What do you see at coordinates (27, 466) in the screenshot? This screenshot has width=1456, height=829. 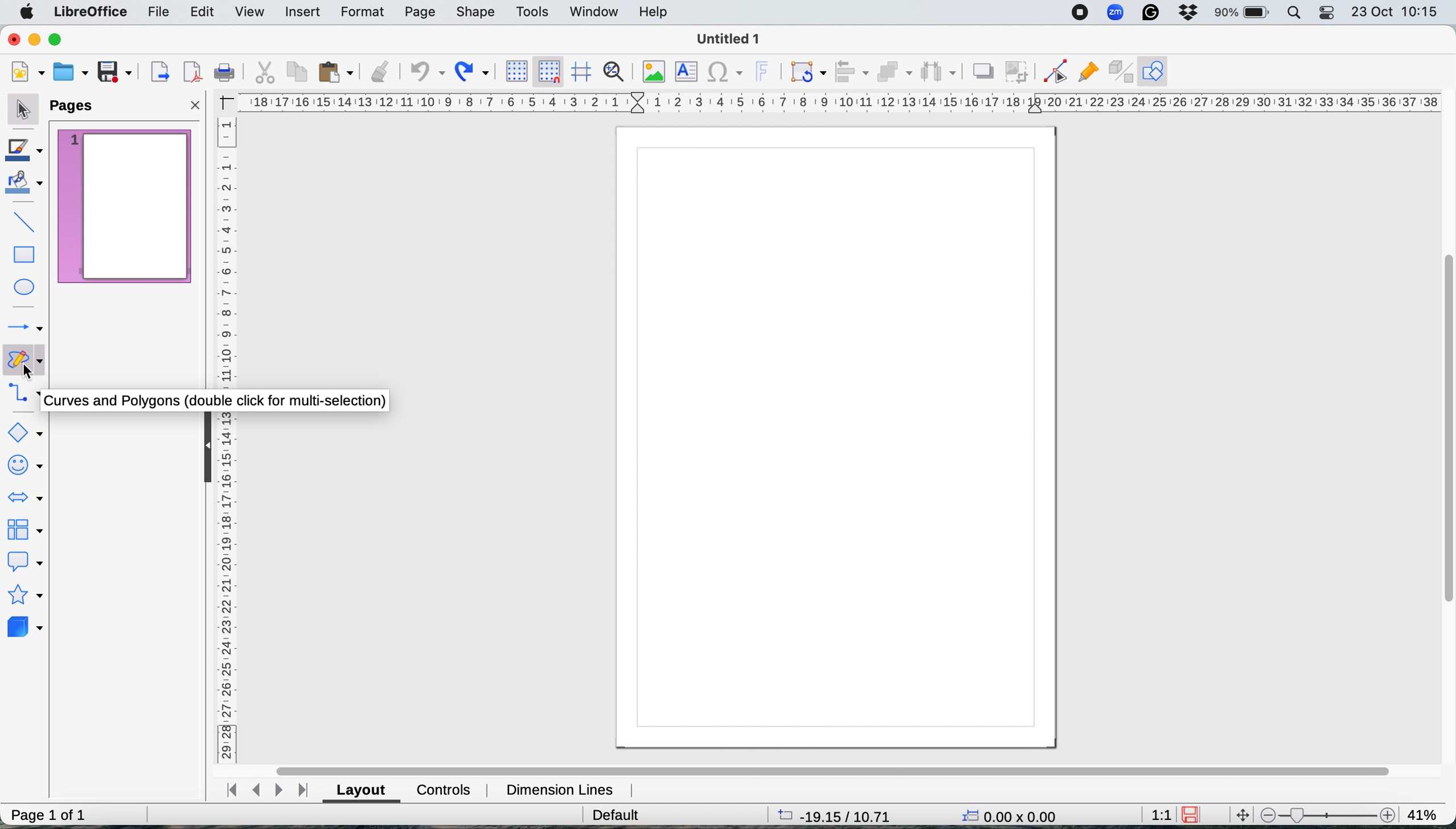 I see `symbol shapes` at bounding box center [27, 466].